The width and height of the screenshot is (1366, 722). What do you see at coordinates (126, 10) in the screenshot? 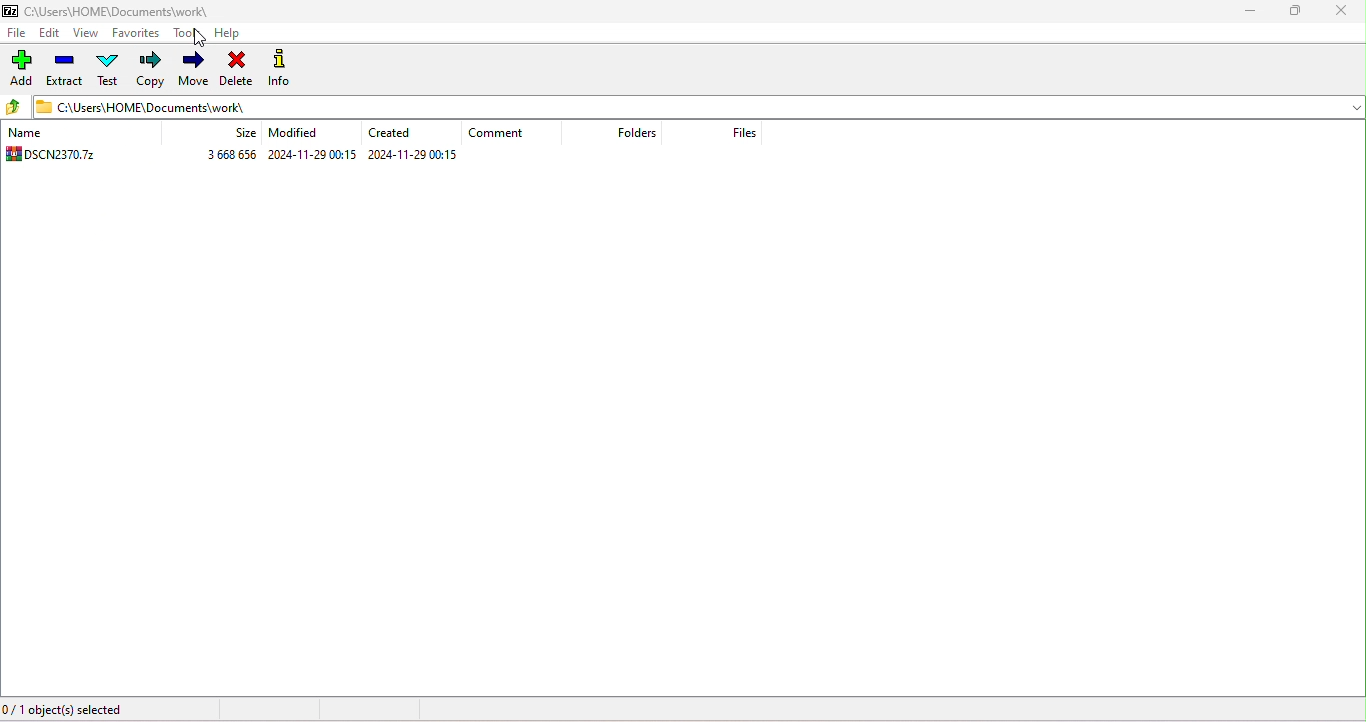
I see `c:\users\home\document\work\` at bounding box center [126, 10].